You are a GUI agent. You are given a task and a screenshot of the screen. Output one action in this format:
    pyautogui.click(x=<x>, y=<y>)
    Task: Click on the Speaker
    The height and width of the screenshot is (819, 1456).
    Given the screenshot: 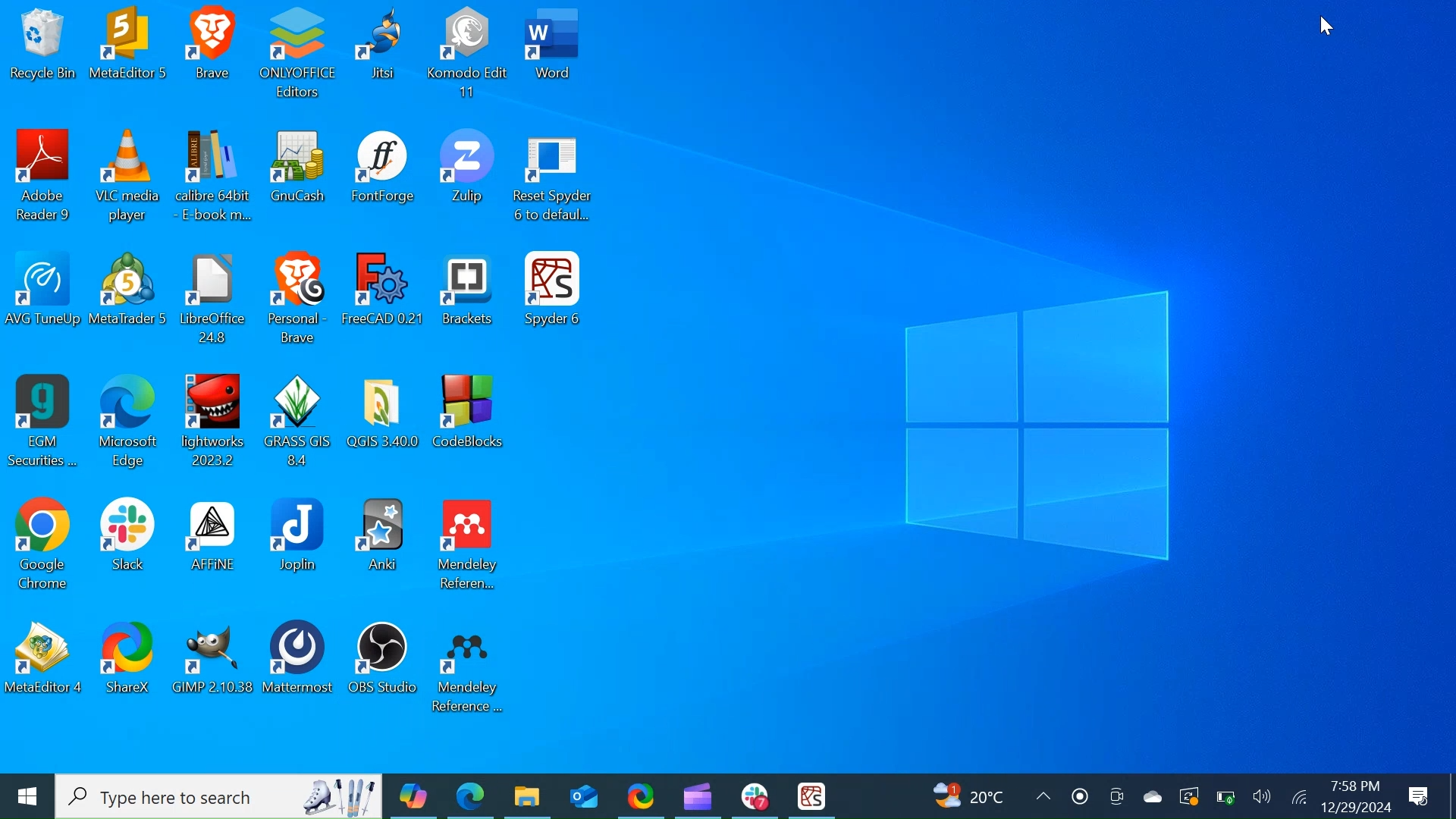 What is the action you would take?
    pyautogui.click(x=1263, y=797)
    